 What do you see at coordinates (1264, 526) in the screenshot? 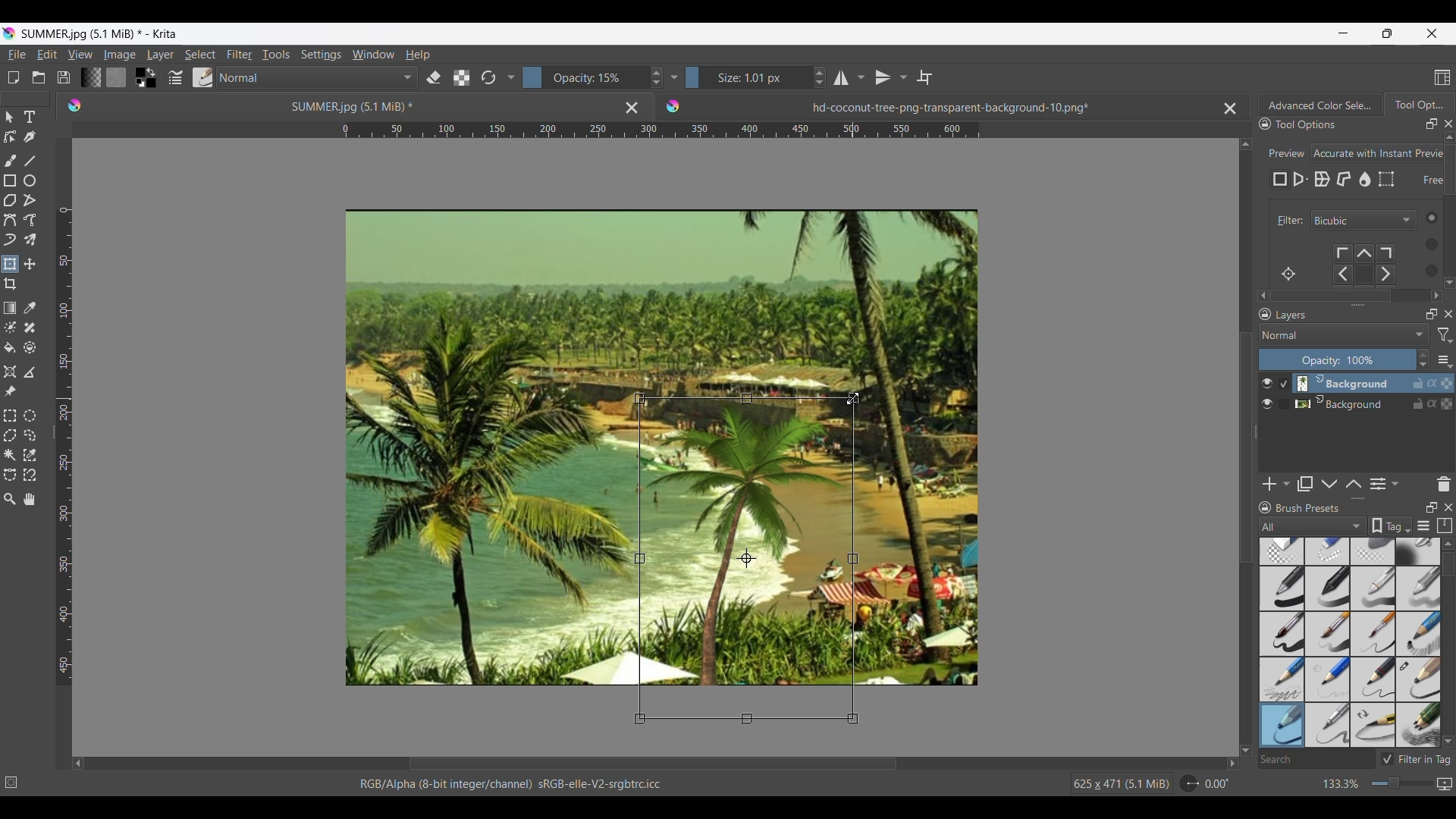
I see `Brush preset options` at bounding box center [1264, 526].